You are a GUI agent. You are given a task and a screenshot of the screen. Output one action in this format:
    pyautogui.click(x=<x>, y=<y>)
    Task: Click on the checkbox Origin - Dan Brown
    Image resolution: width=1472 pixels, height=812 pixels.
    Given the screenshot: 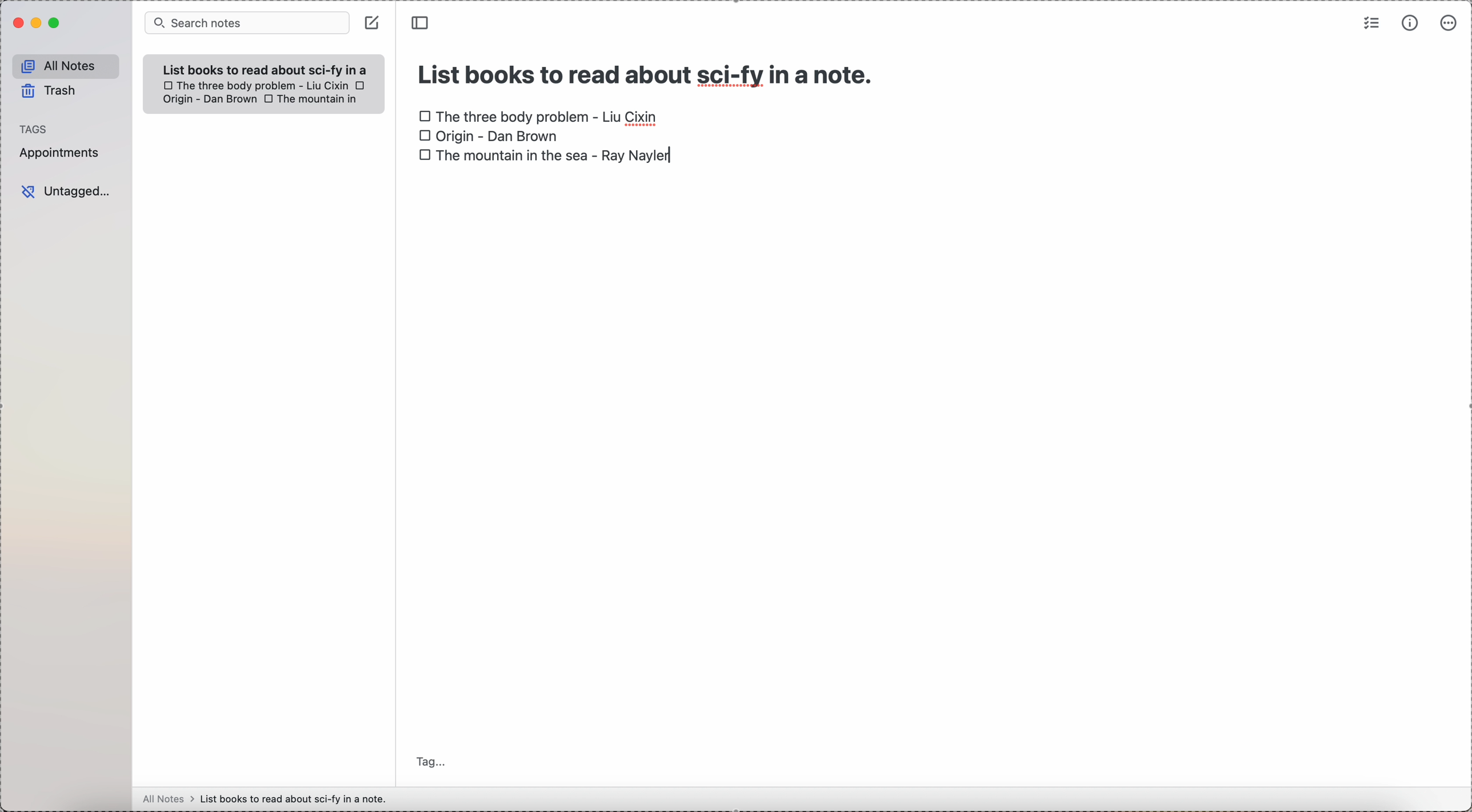 What is the action you would take?
    pyautogui.click(x=489, y=137)
    